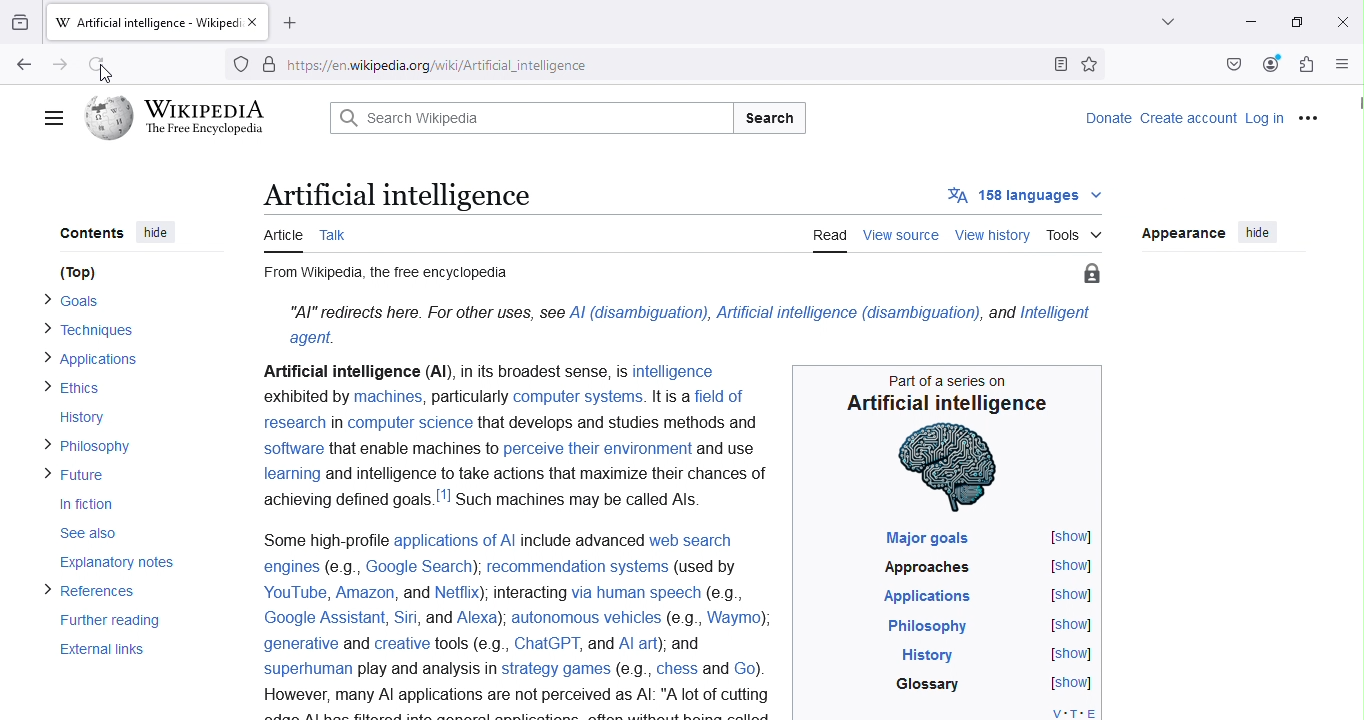 This screenshot has width=1364, height=720. What do you see at coordinates (772, 118) in the screenshot?
I see `Search` at bounding box center [772, 118].